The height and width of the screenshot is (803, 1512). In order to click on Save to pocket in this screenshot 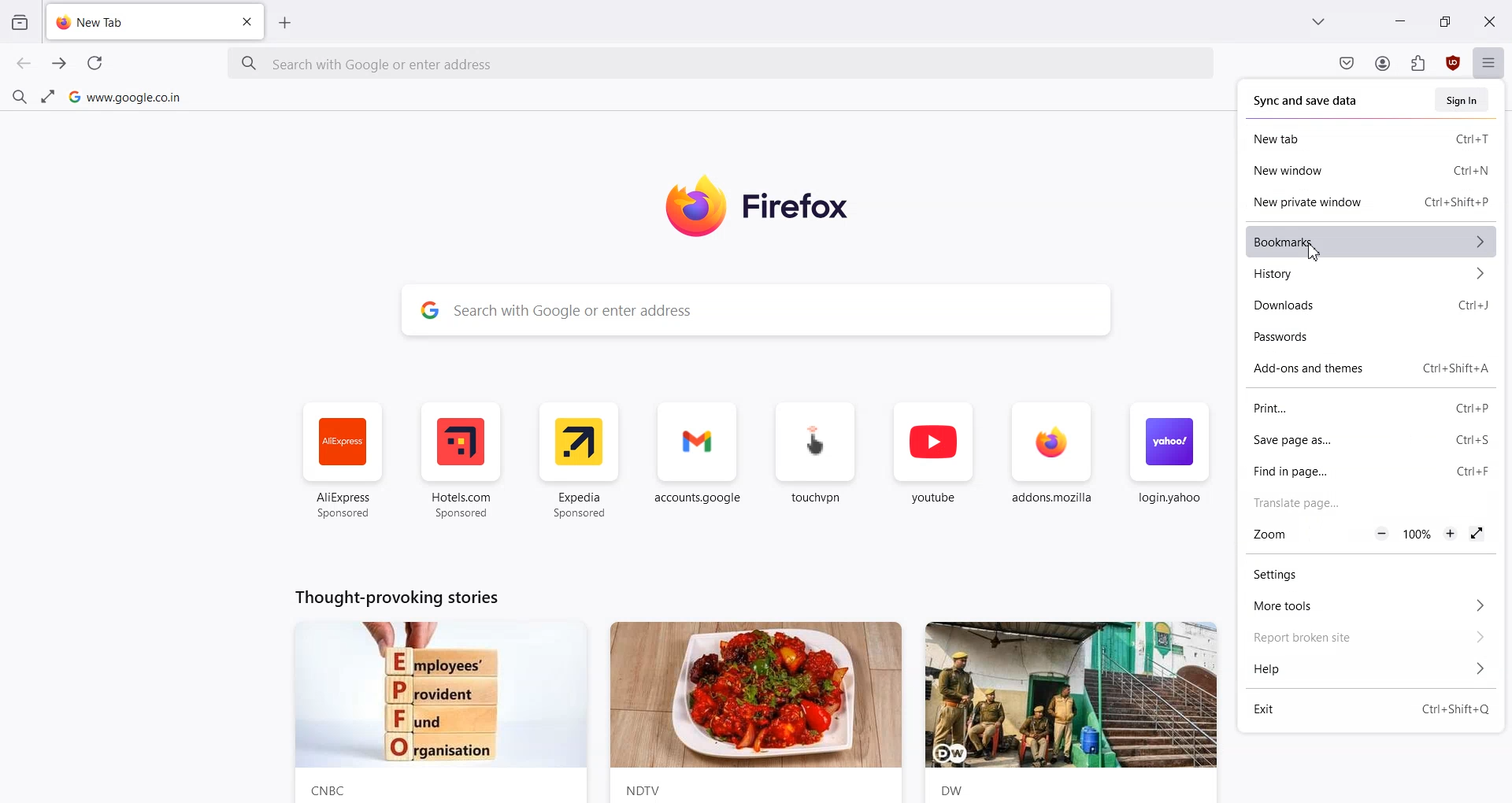, I will do `click(1347, 65)`.